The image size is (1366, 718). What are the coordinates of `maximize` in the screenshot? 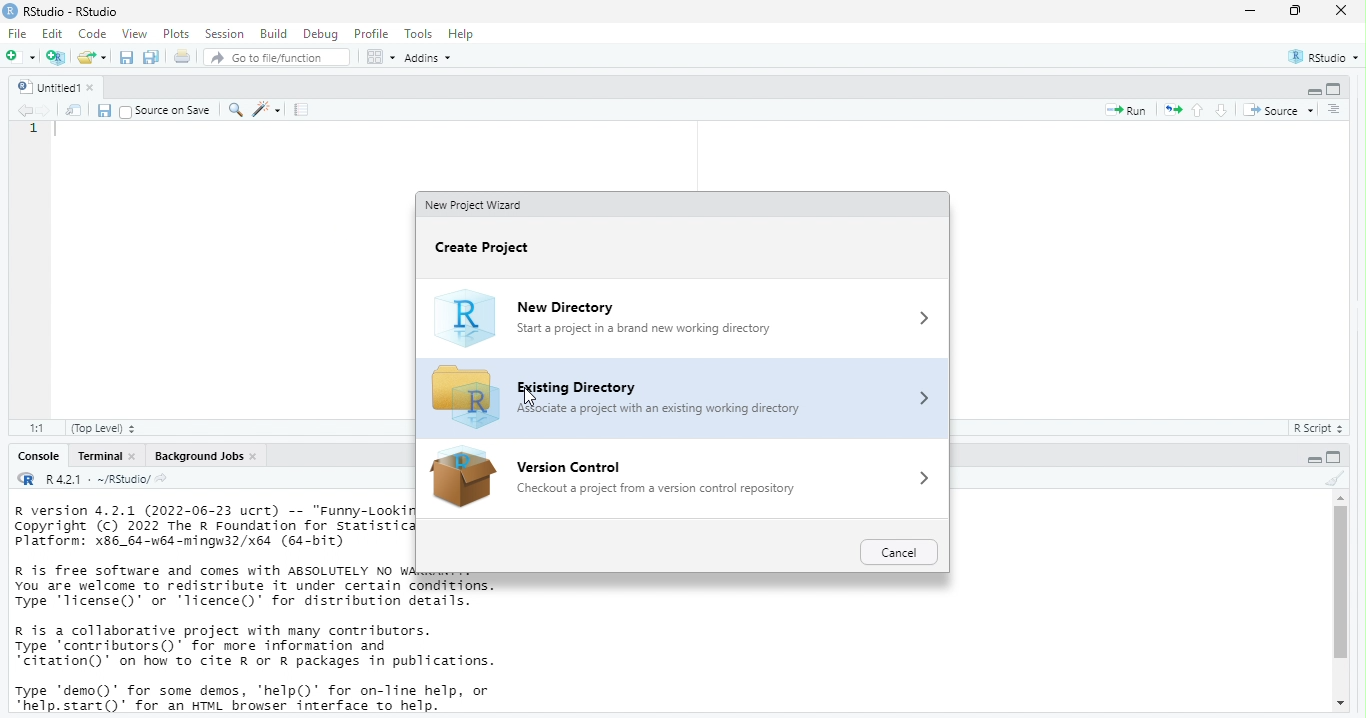 It's located at (1346, 455).